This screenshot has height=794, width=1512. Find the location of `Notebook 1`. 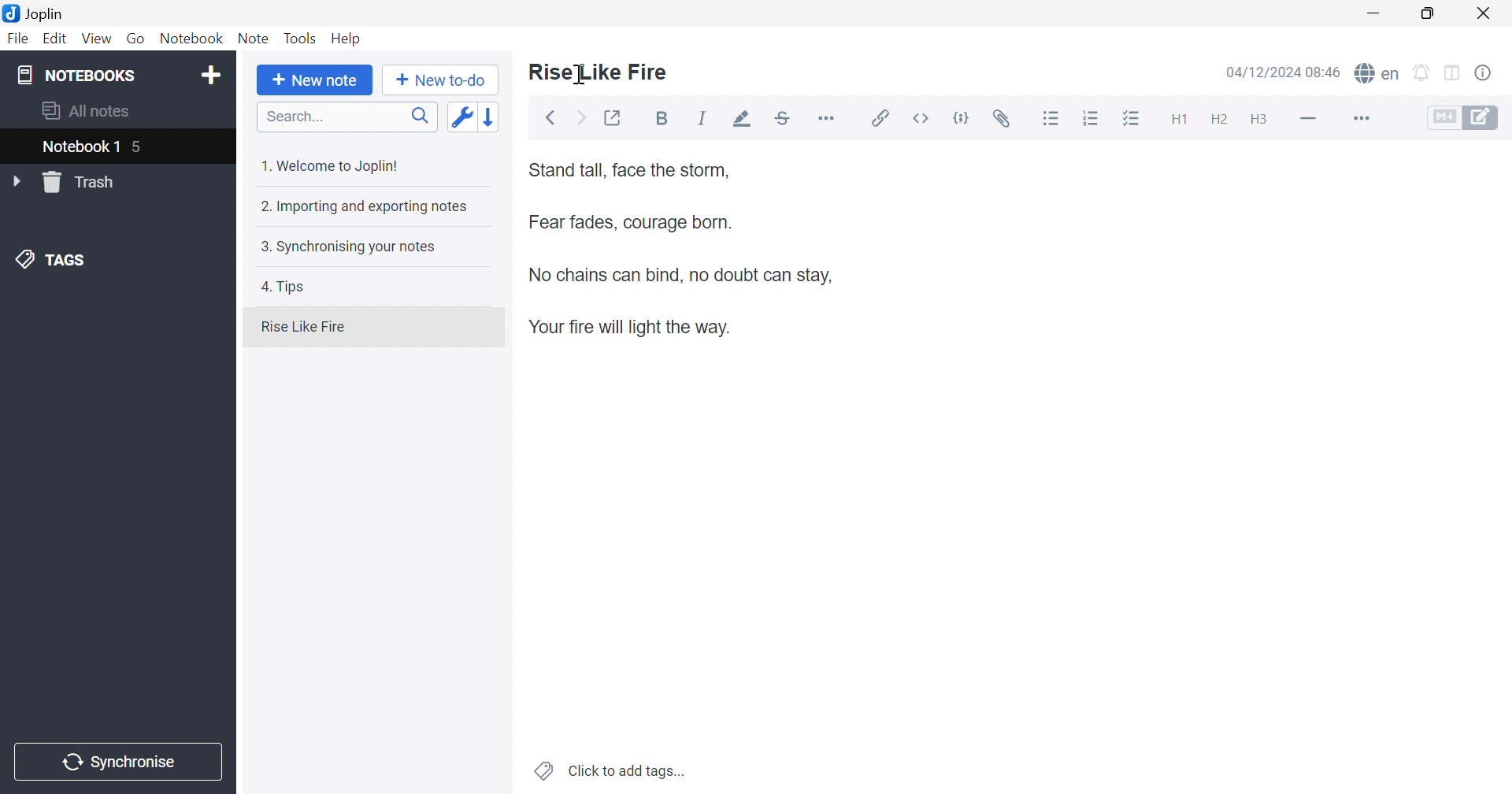

Notebook 1 is located at coordinates (79, 149).